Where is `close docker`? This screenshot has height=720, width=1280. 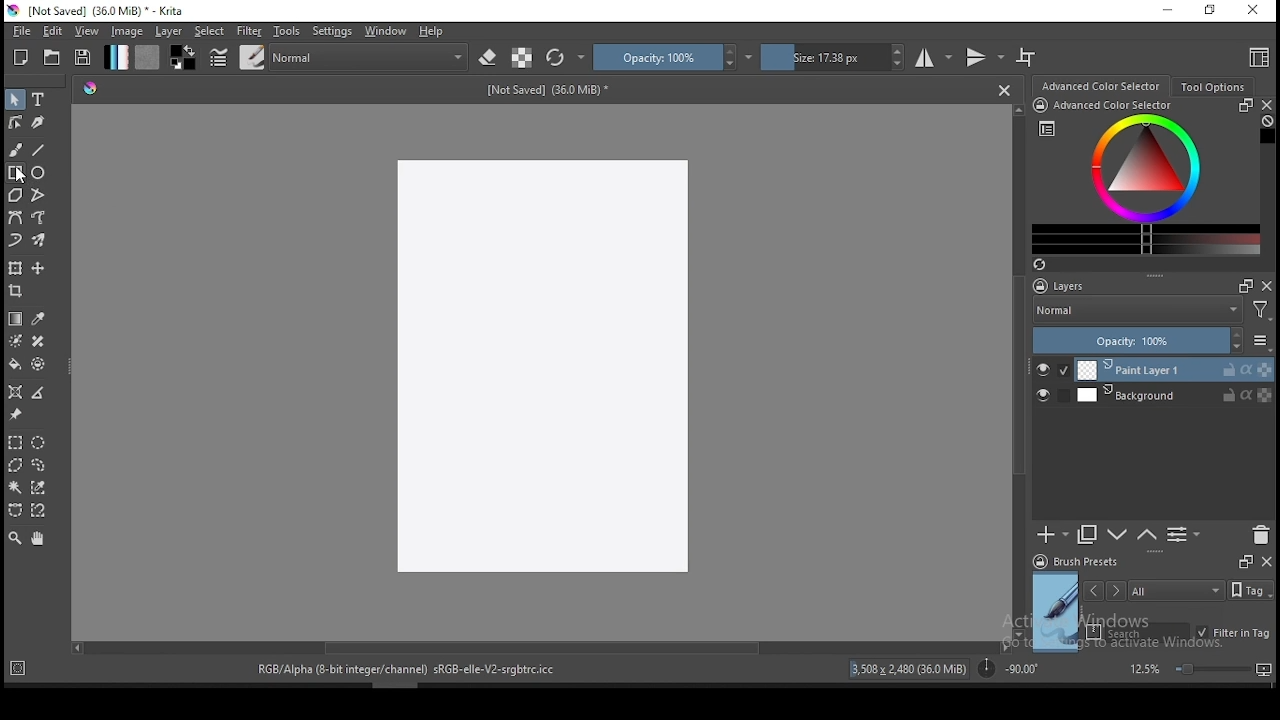
close docker is located at coordinates (1266, 105).